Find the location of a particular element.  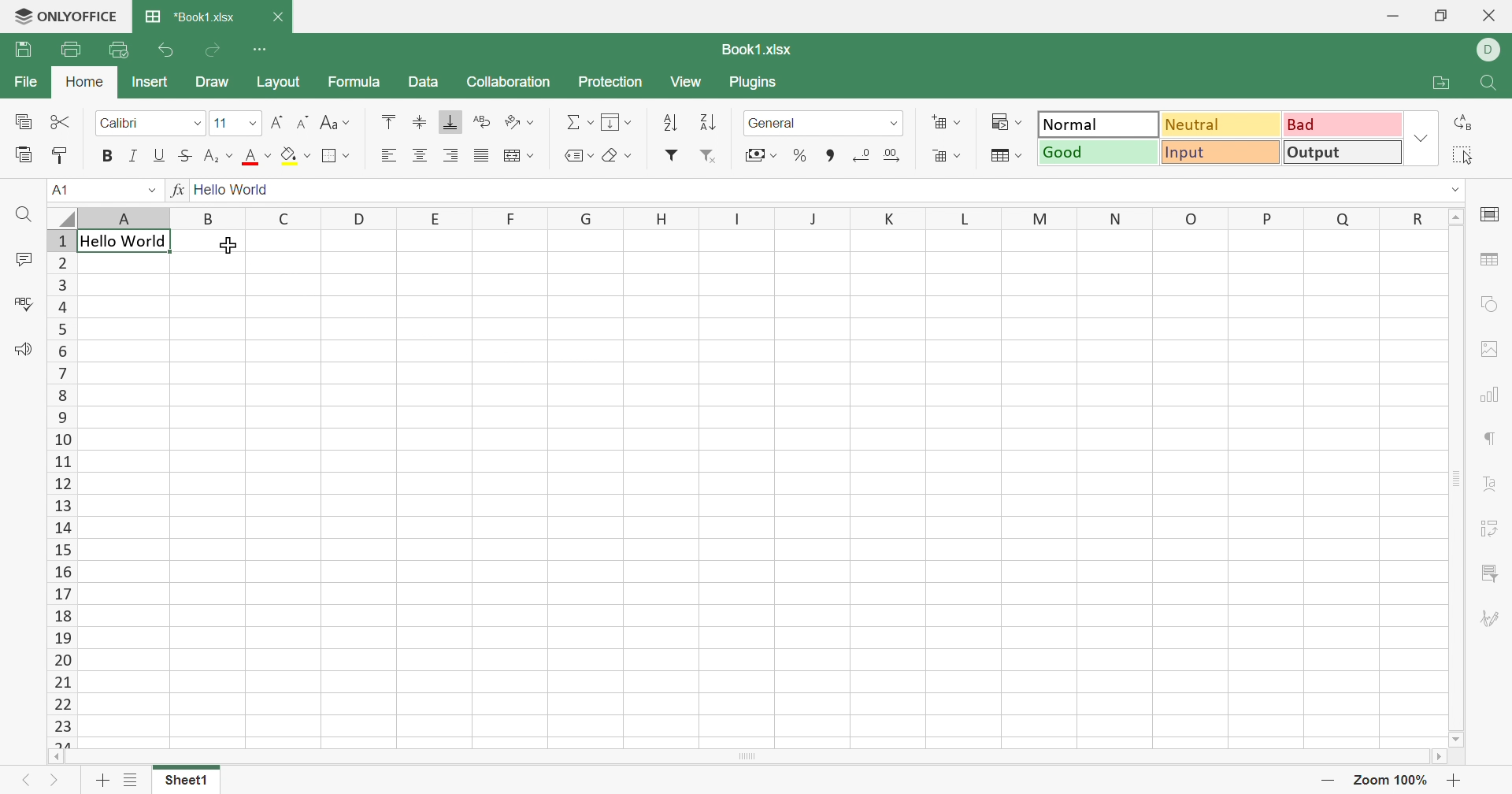

Close is located at coordinates (275, 17).